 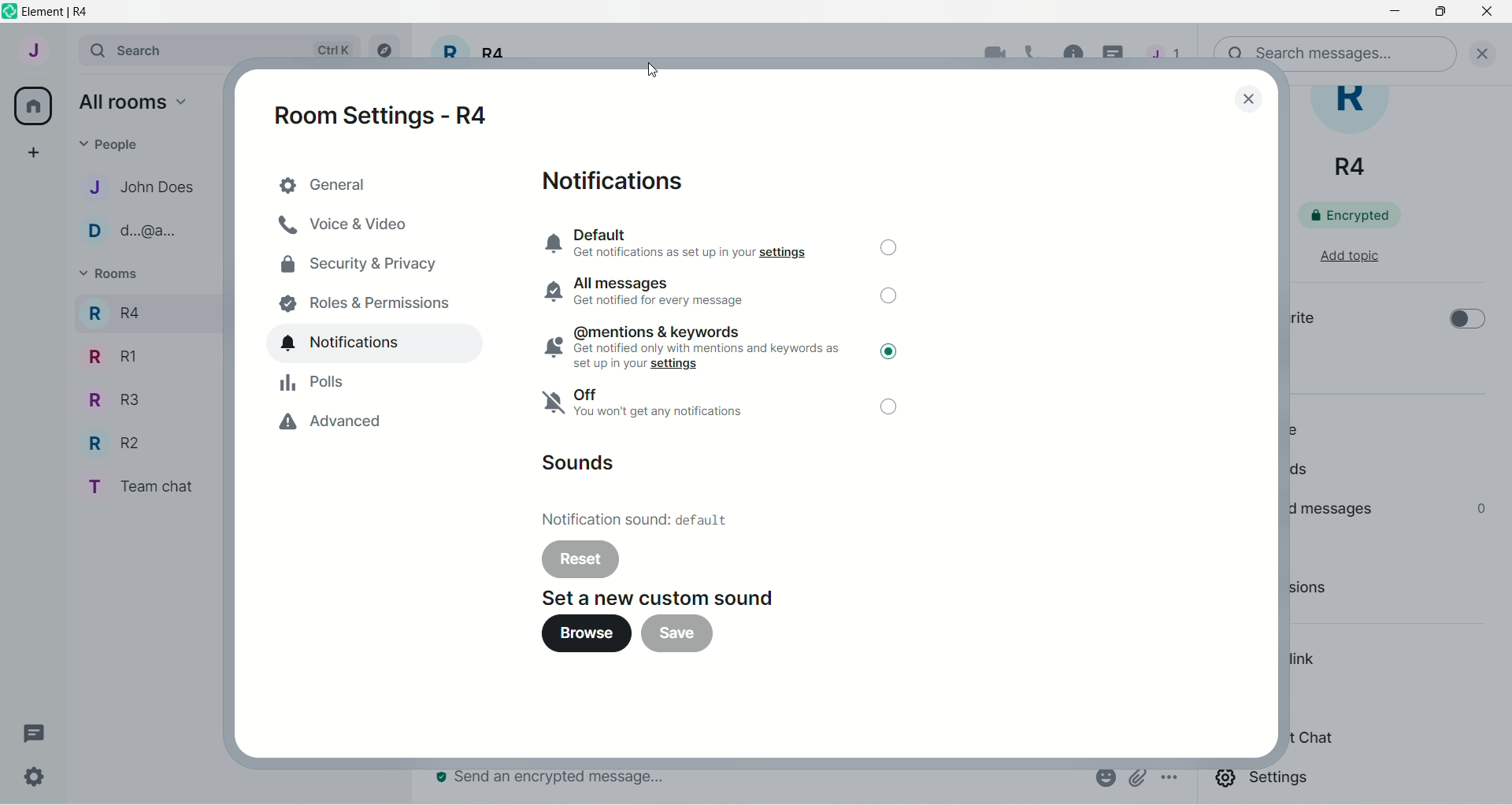 I want to click on room title, so click(x=471, y=57).